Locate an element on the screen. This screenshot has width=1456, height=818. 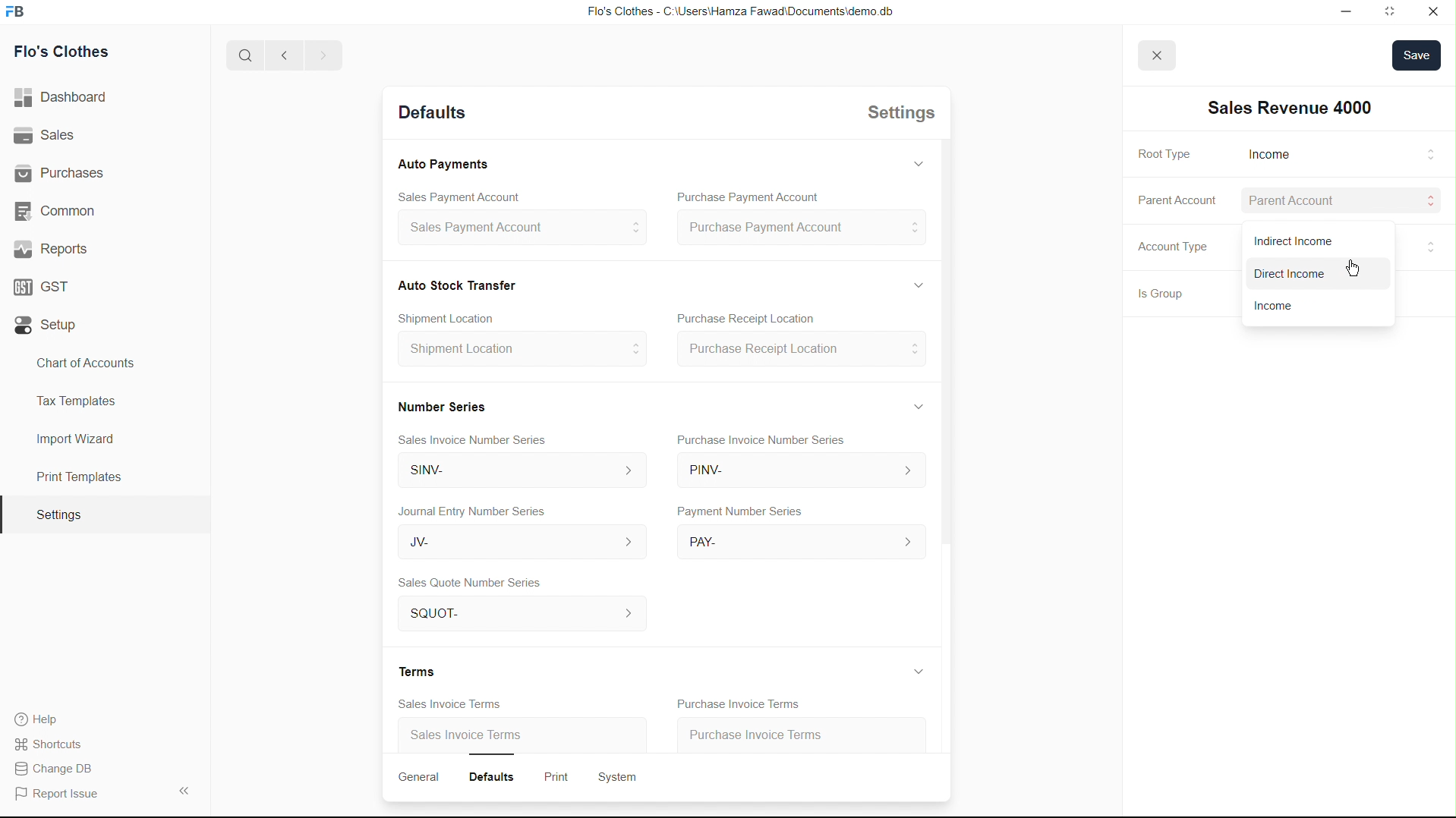
General is located at coordinates (421, 777).